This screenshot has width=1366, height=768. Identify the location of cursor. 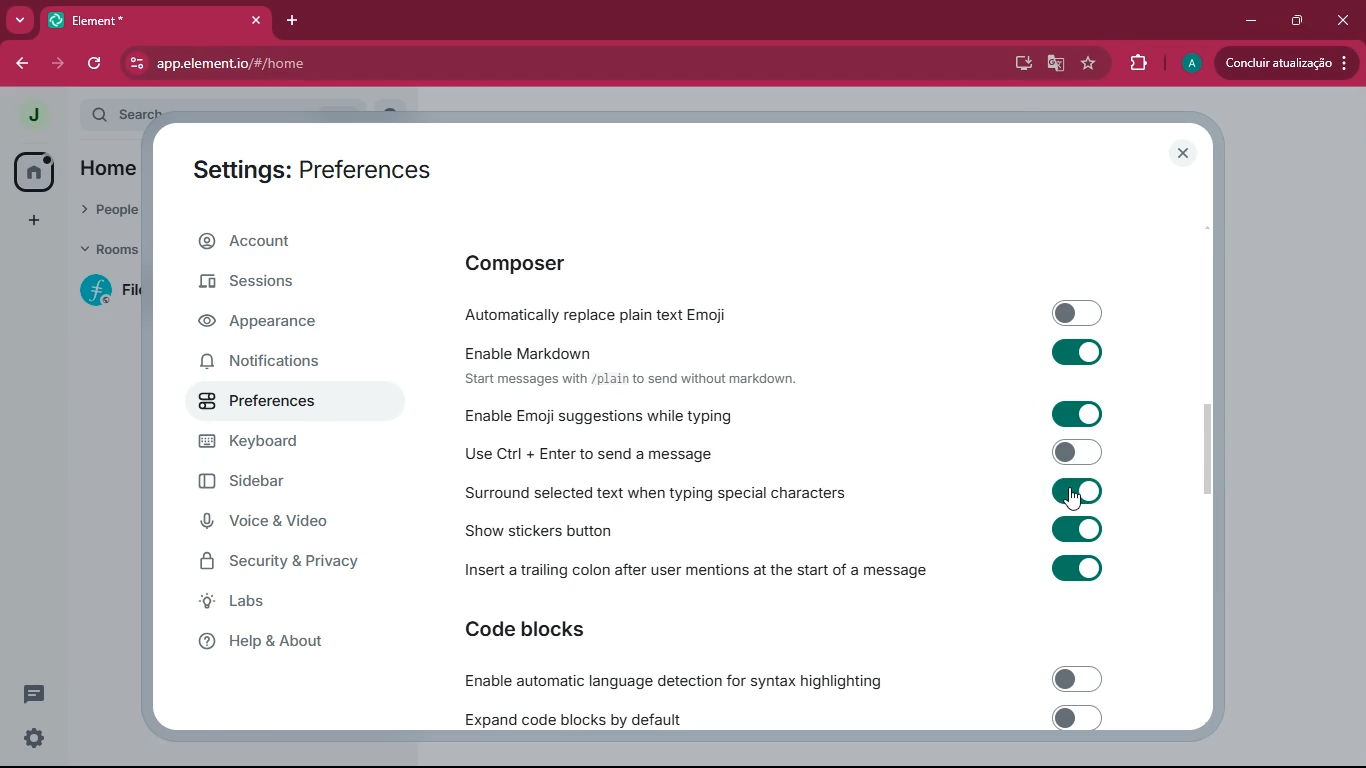
(1071, 497).